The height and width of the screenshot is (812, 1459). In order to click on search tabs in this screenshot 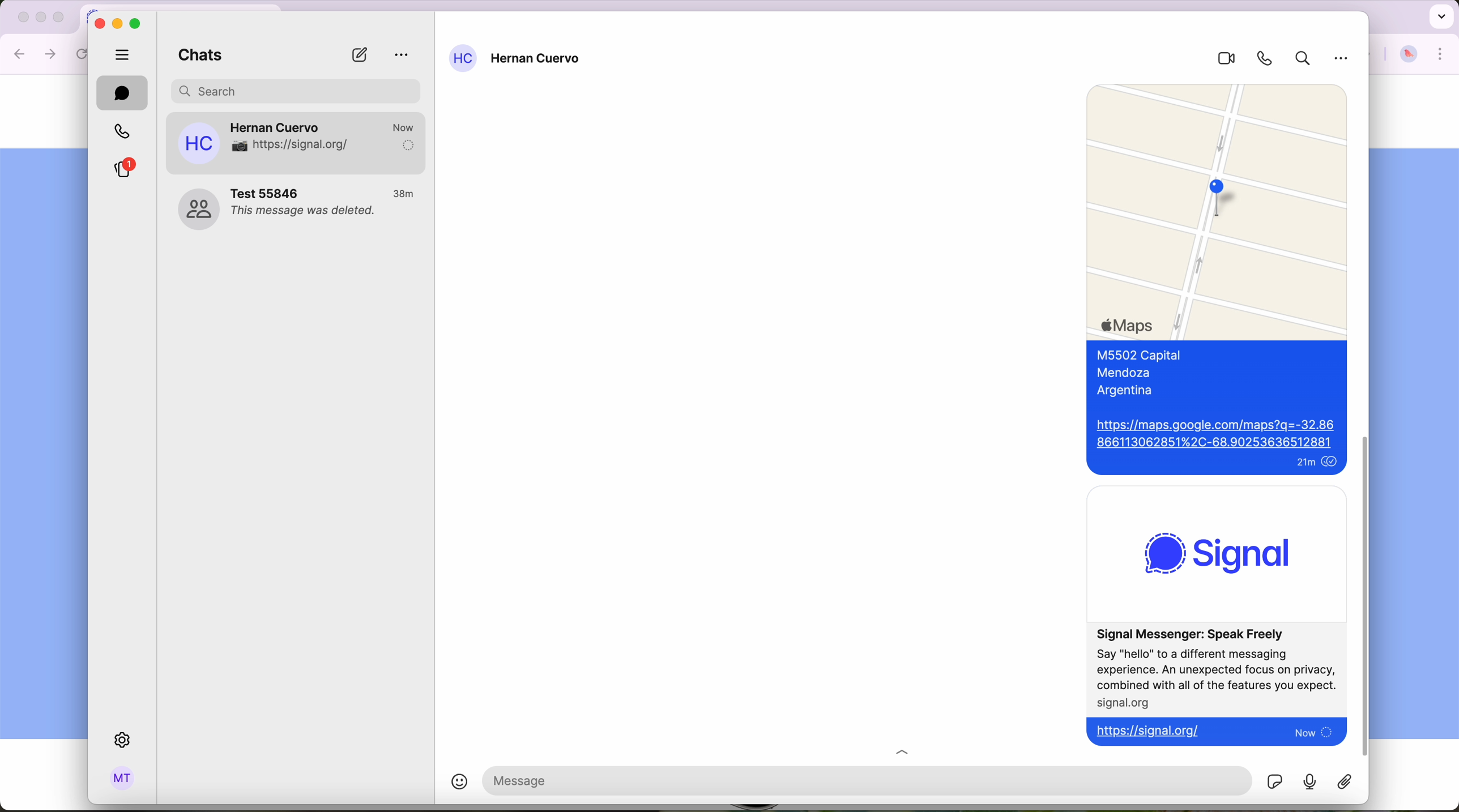, I will do `click(1440, 15)`.